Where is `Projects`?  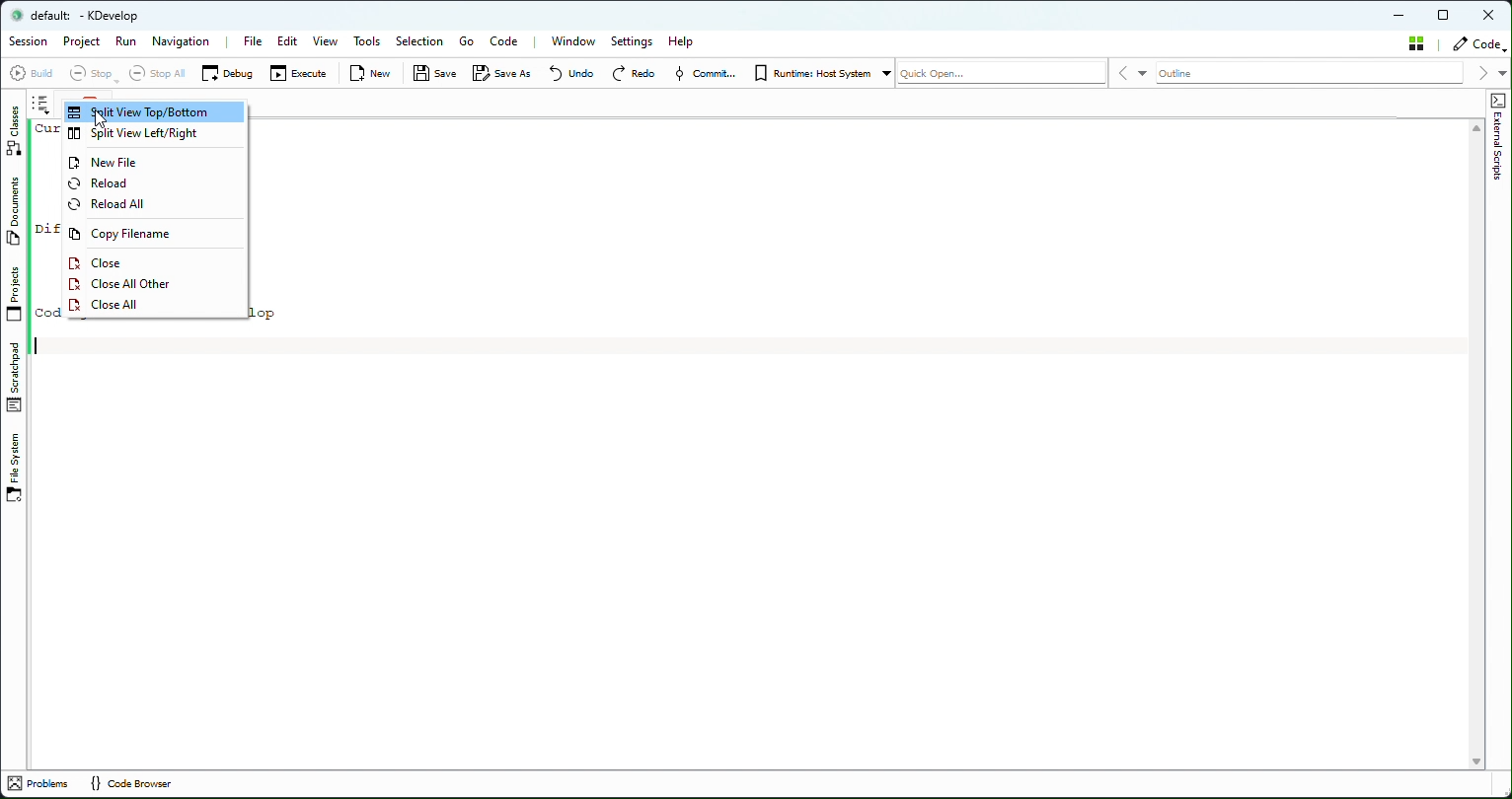 Projects is located at coordinates (15, 295).